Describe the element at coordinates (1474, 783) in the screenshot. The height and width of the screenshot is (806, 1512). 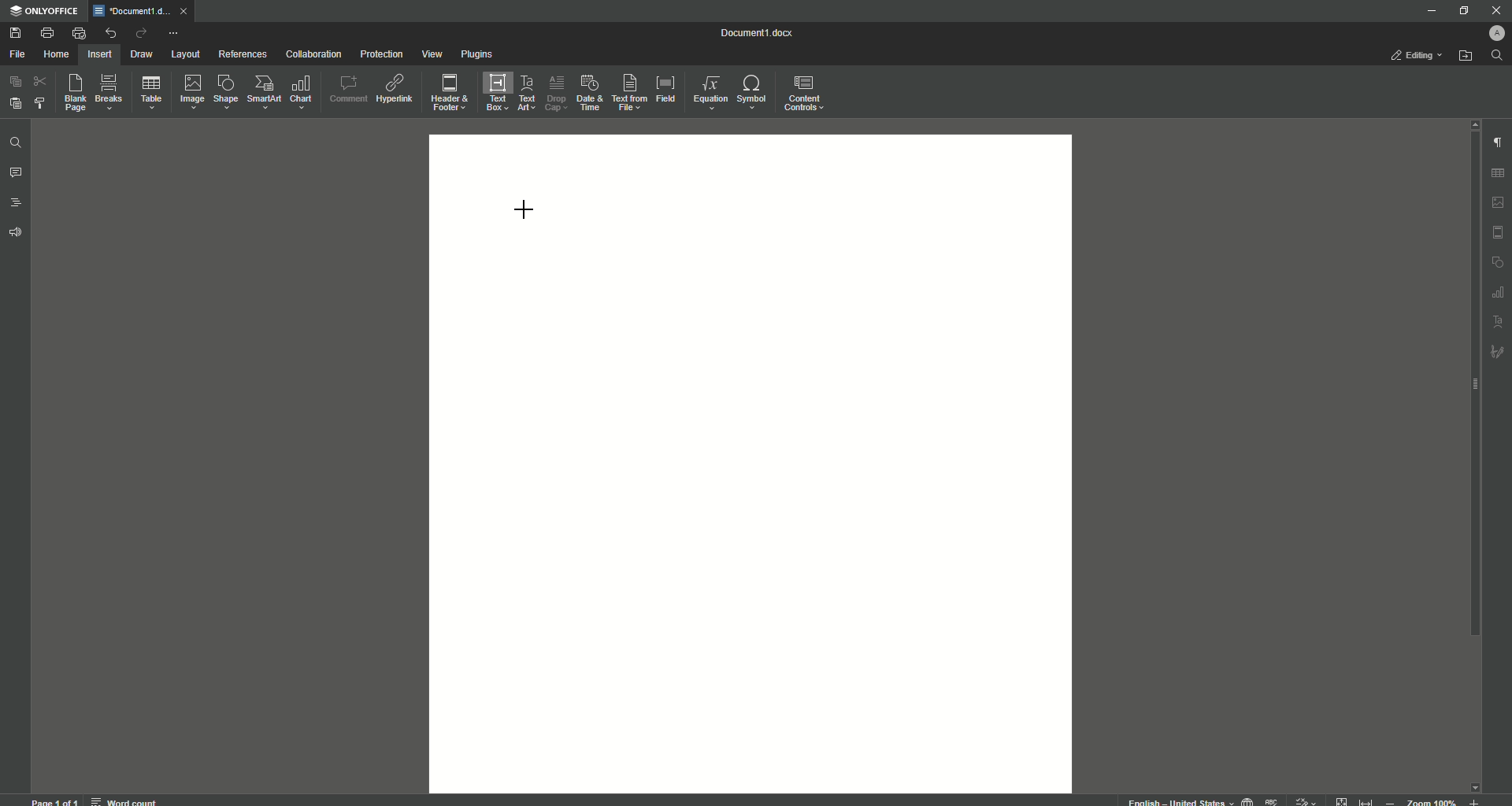
I see `scroll down` at that location.